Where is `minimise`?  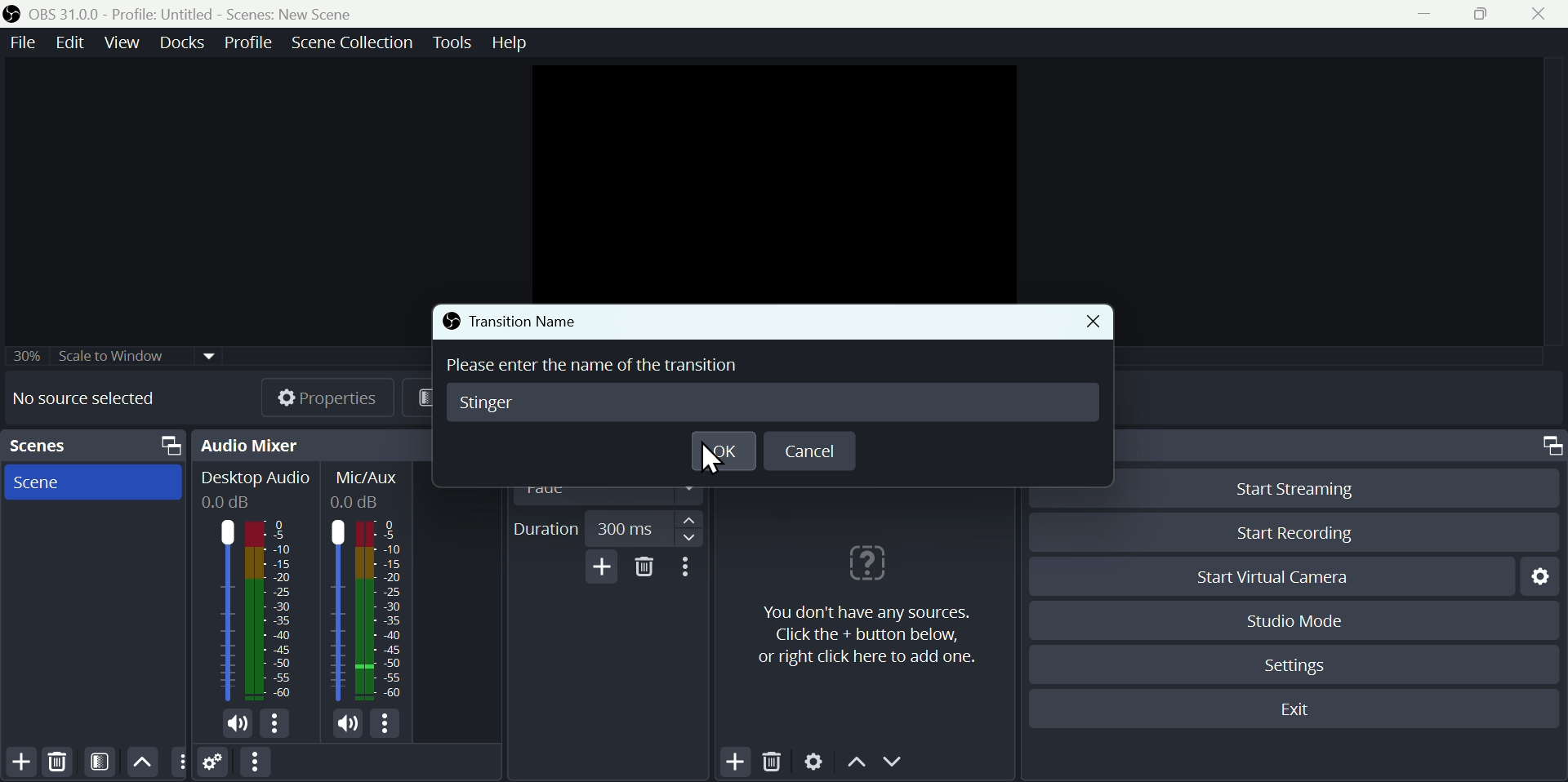 minimise is located at coordinates (1430, 14).